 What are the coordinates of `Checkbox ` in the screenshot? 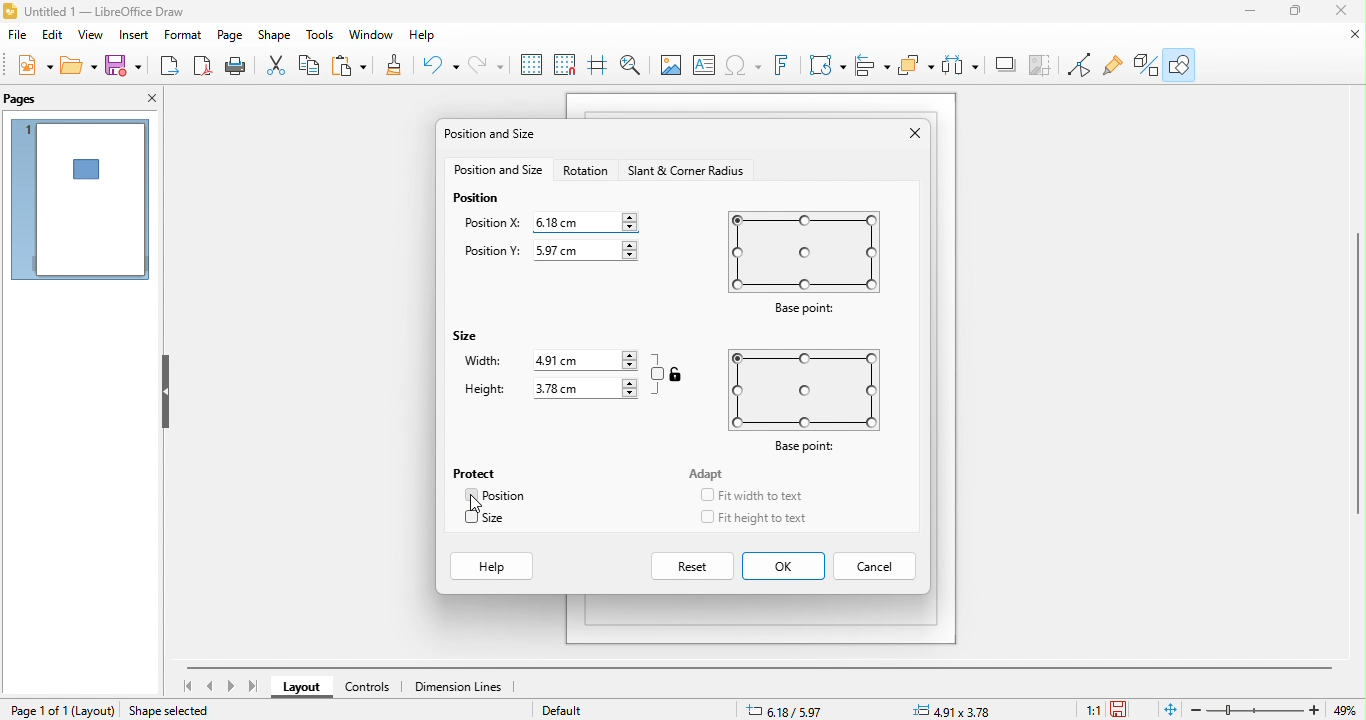 It's located at (706, 494).